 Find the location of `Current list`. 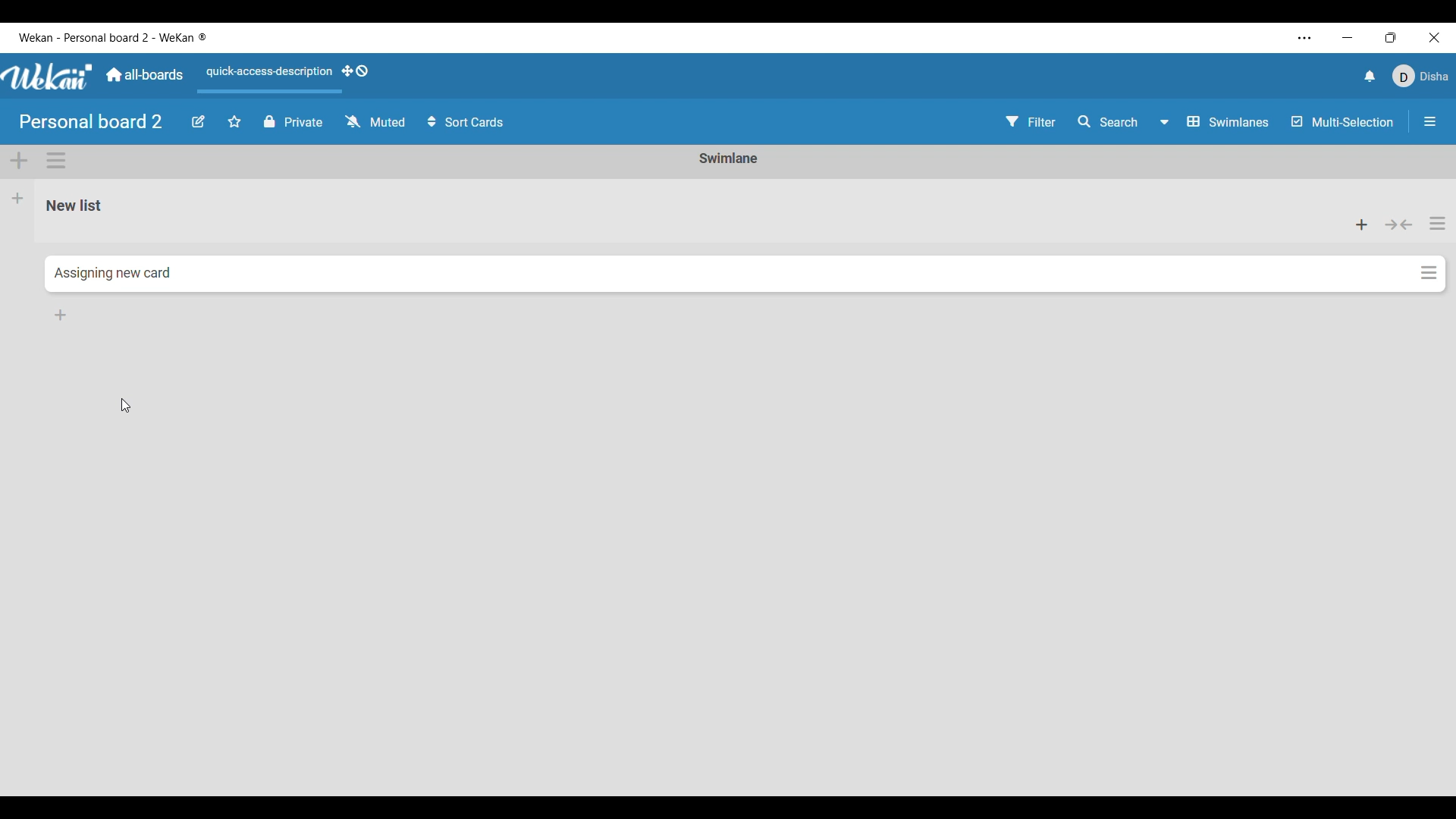

Current list is located at coordinates (677, 204).